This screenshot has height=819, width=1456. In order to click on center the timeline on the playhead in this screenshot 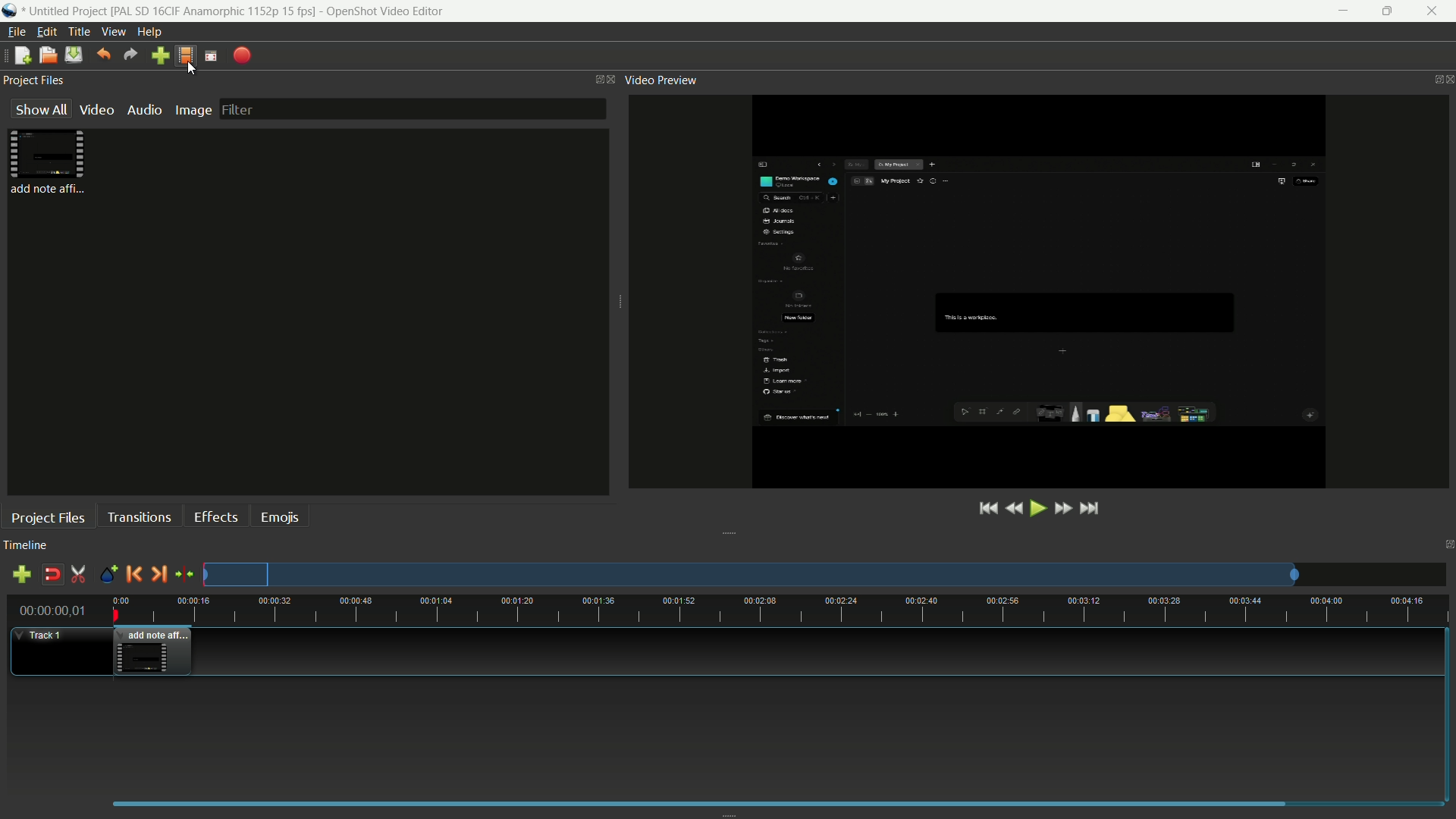, I will do `click(184, 575)`.